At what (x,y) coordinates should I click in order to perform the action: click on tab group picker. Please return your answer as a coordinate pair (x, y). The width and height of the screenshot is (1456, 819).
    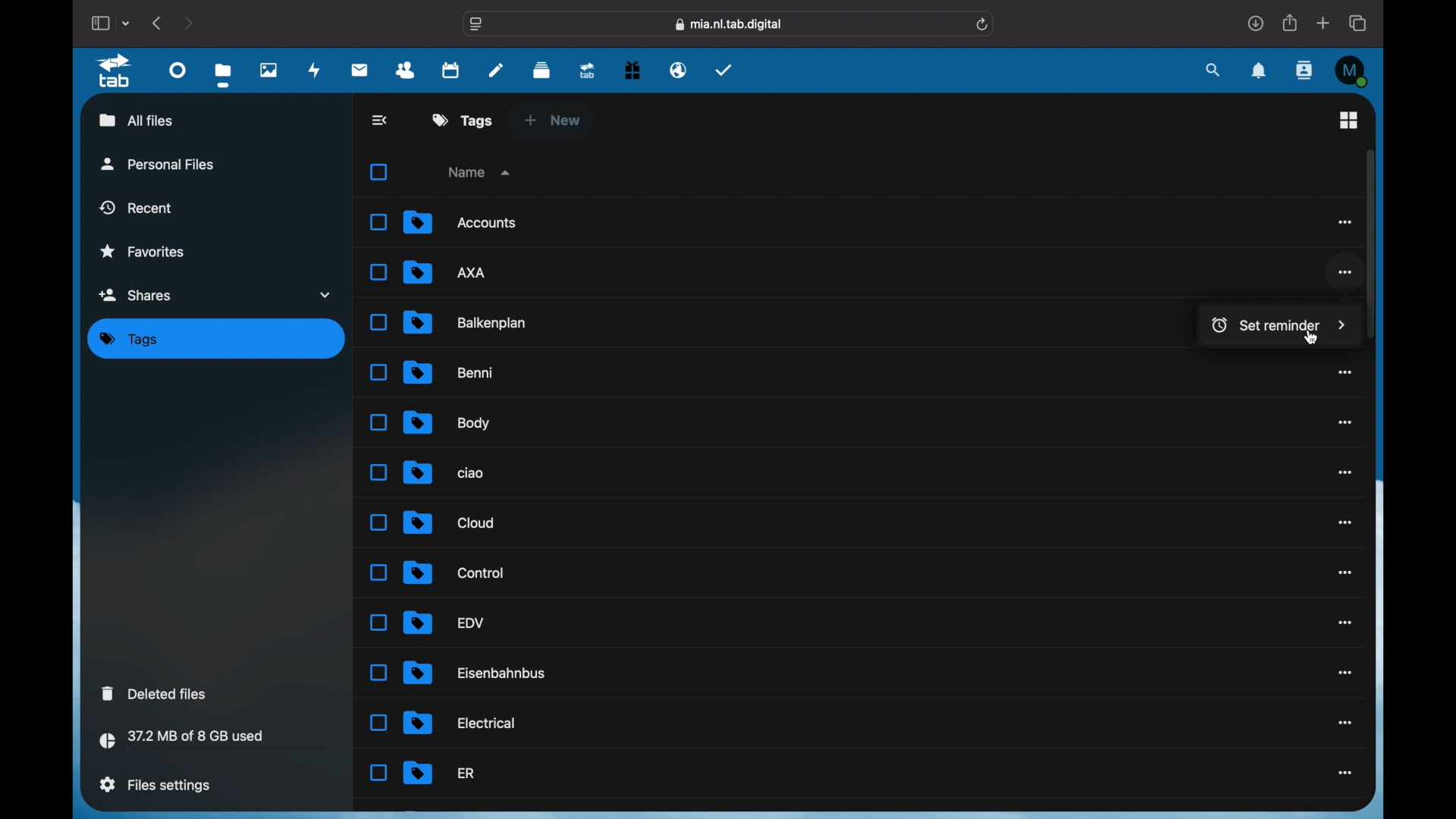
    Looking at the image, I should click on (126, 23).